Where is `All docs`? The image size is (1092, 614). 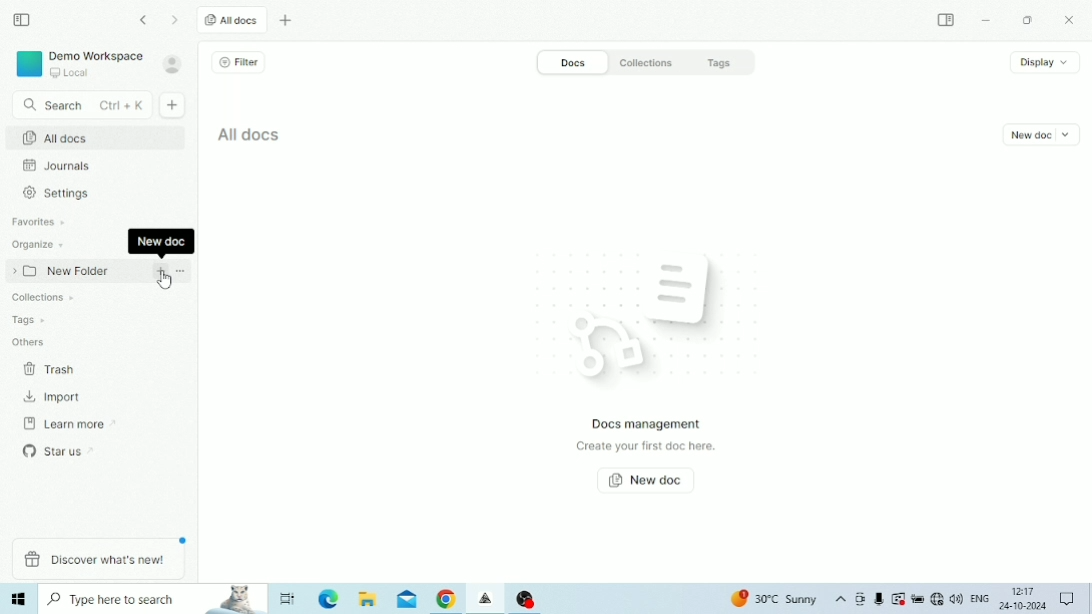
All docs is located at coordinates (94, 137).